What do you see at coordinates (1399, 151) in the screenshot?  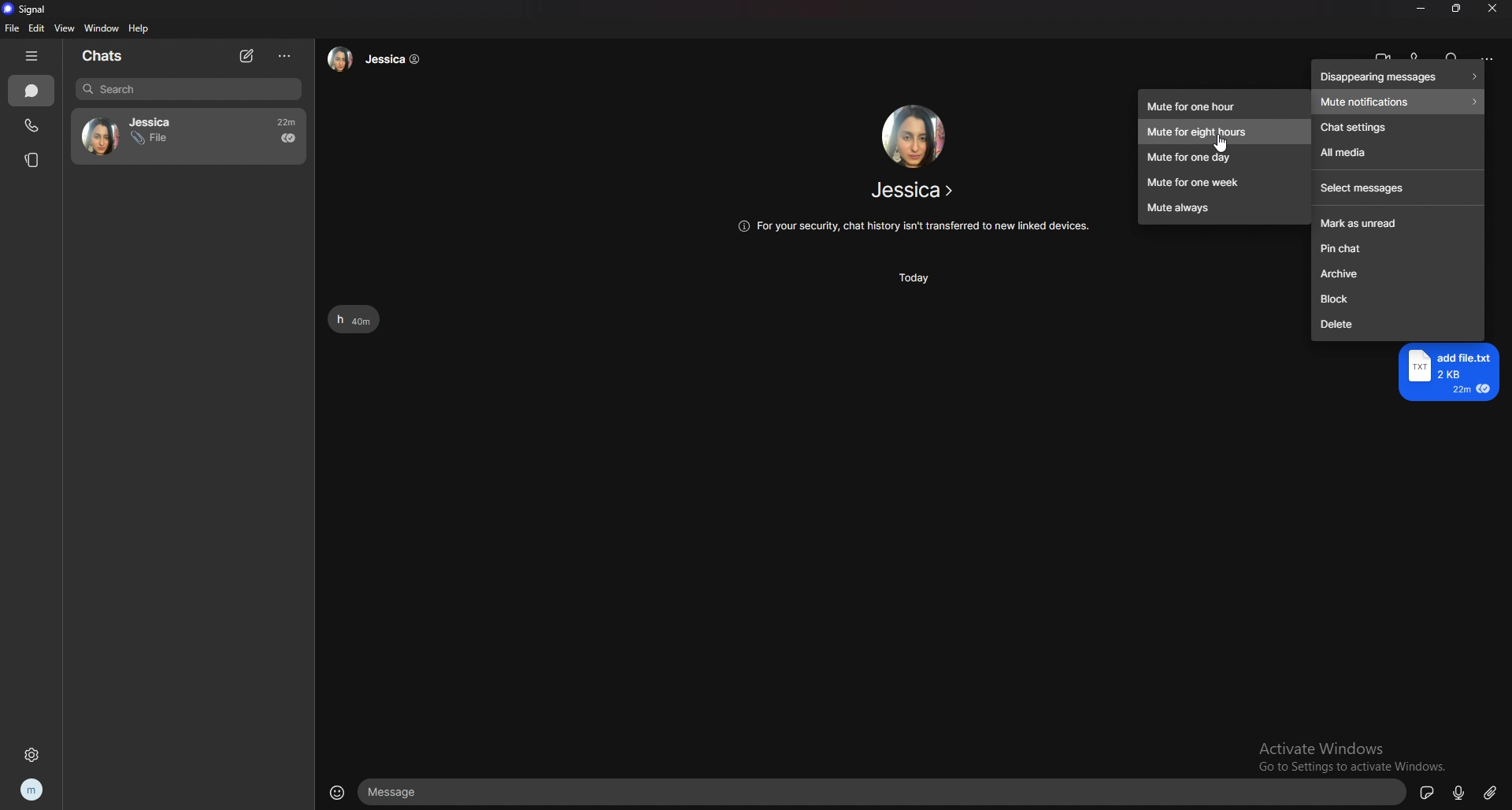 I see `all media` at bounding box center [1399, 151].